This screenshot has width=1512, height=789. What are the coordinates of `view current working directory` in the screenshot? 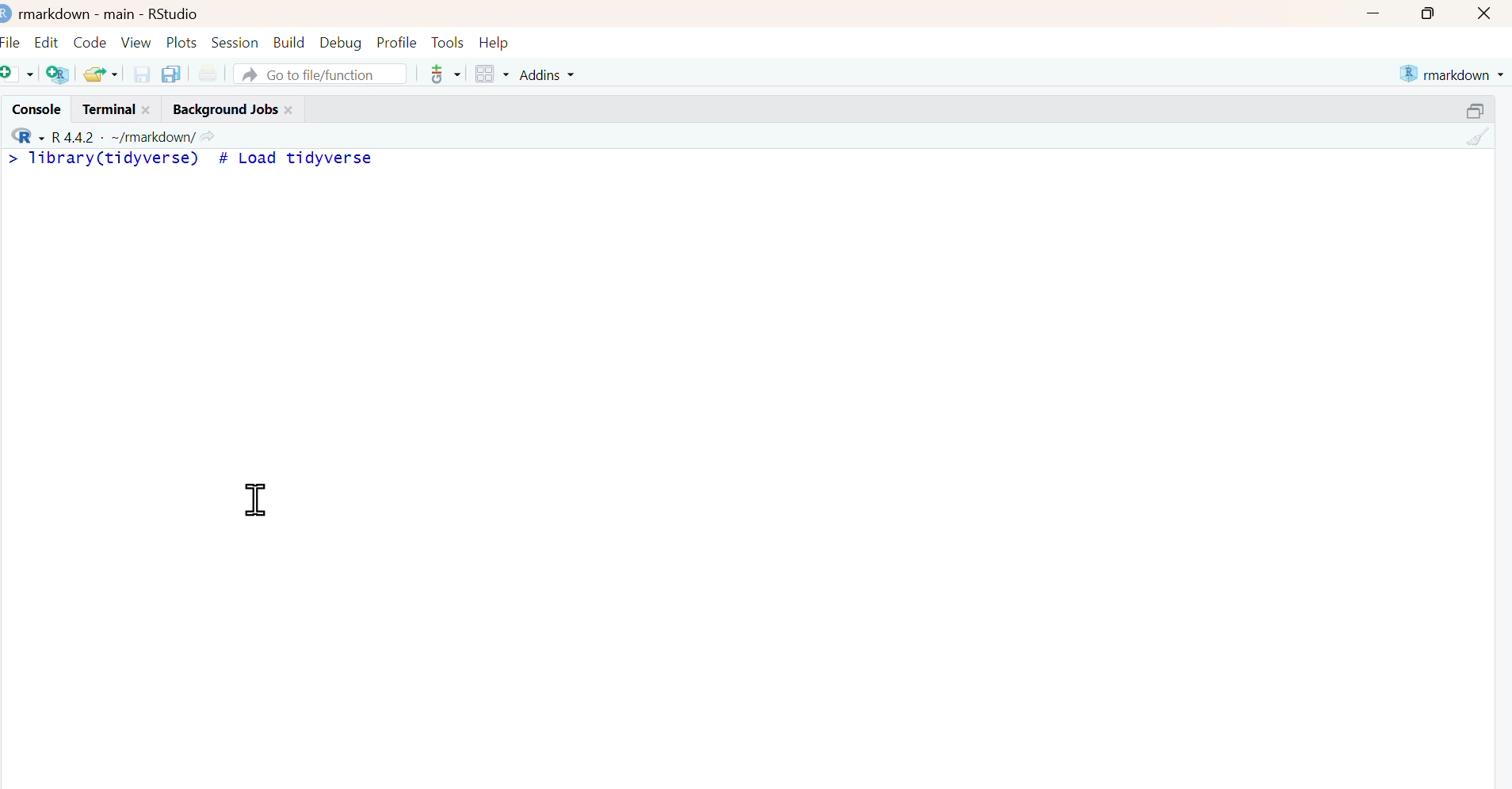 It's located at (208, 135).